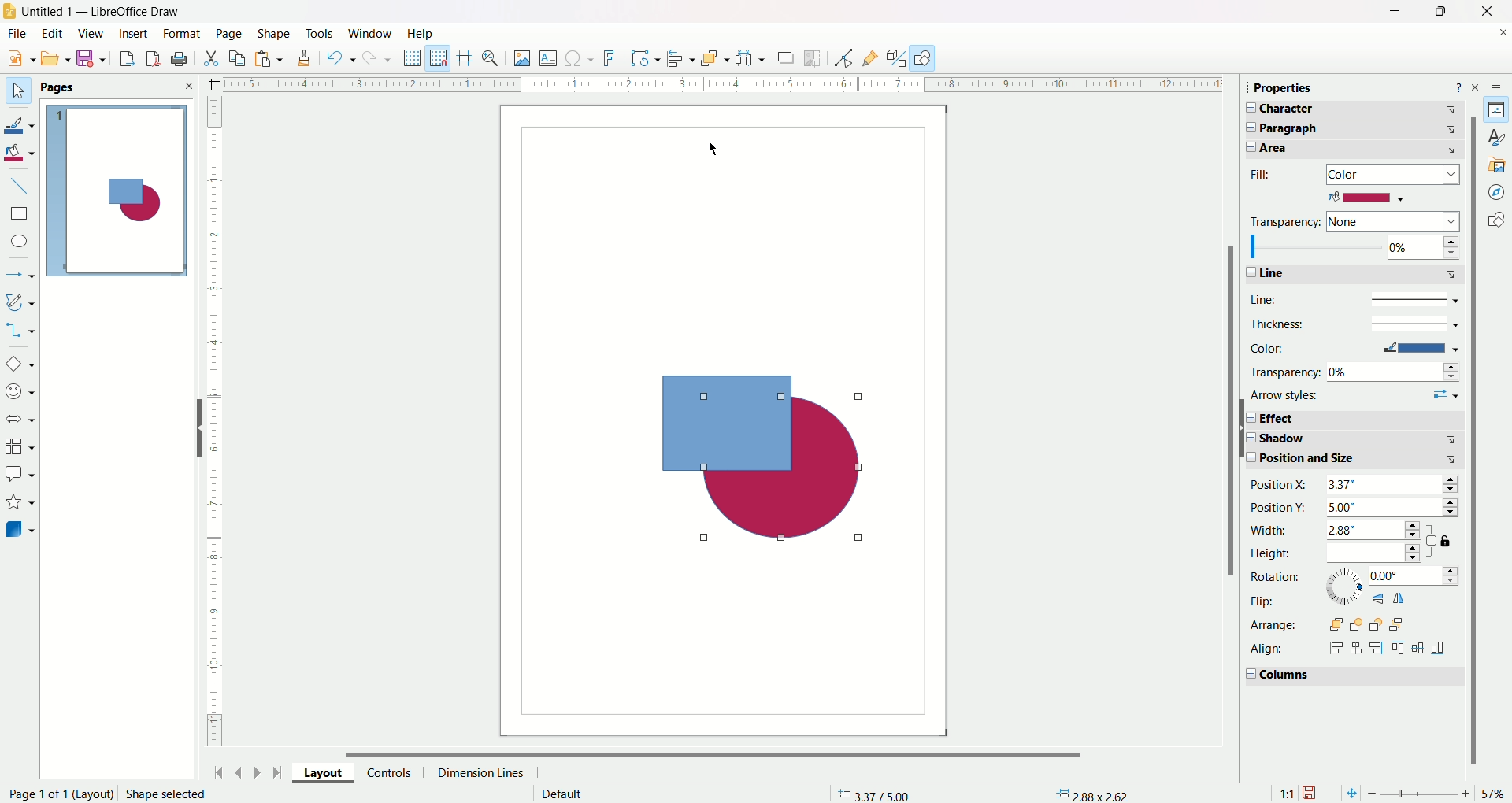 This screenshot has height=803, width=1512. Describe the element at coordinates (1340, 554) in the screenshot. I see `height` at that location.